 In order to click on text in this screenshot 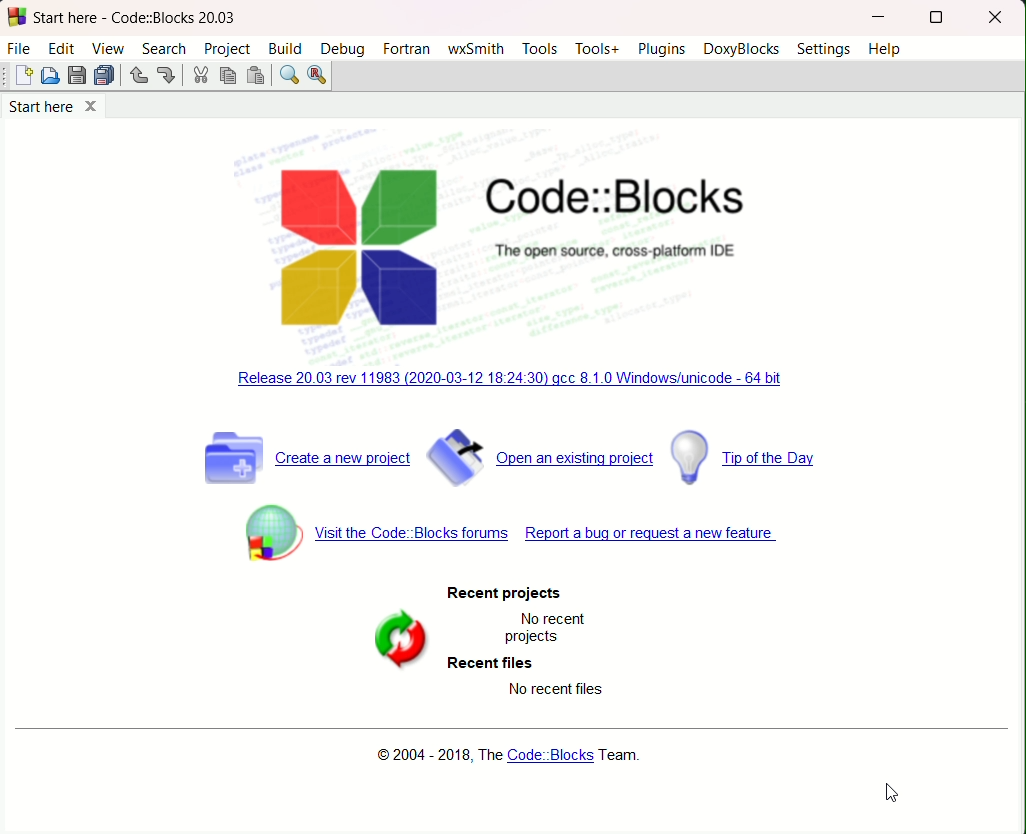, I will do `click(506, 591)`.